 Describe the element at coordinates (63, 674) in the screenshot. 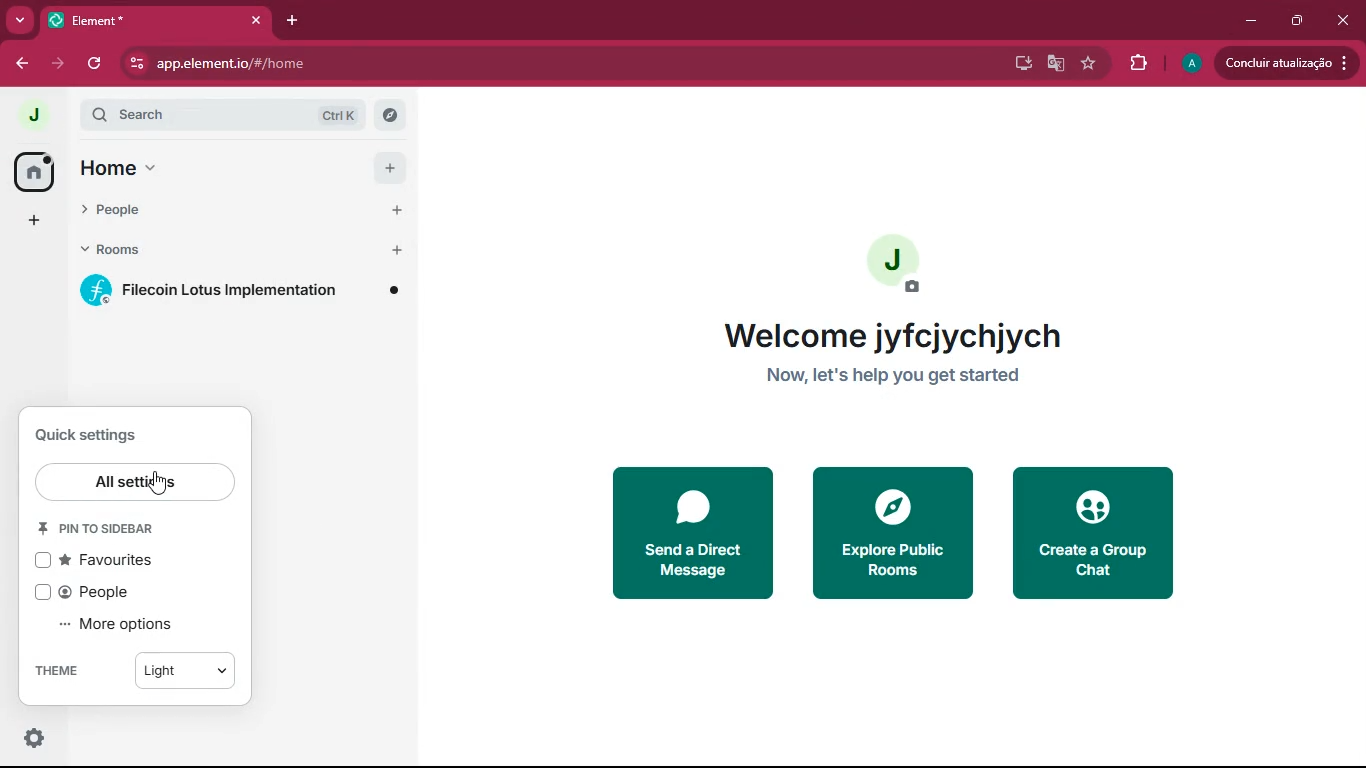

I see `theme` at that location.